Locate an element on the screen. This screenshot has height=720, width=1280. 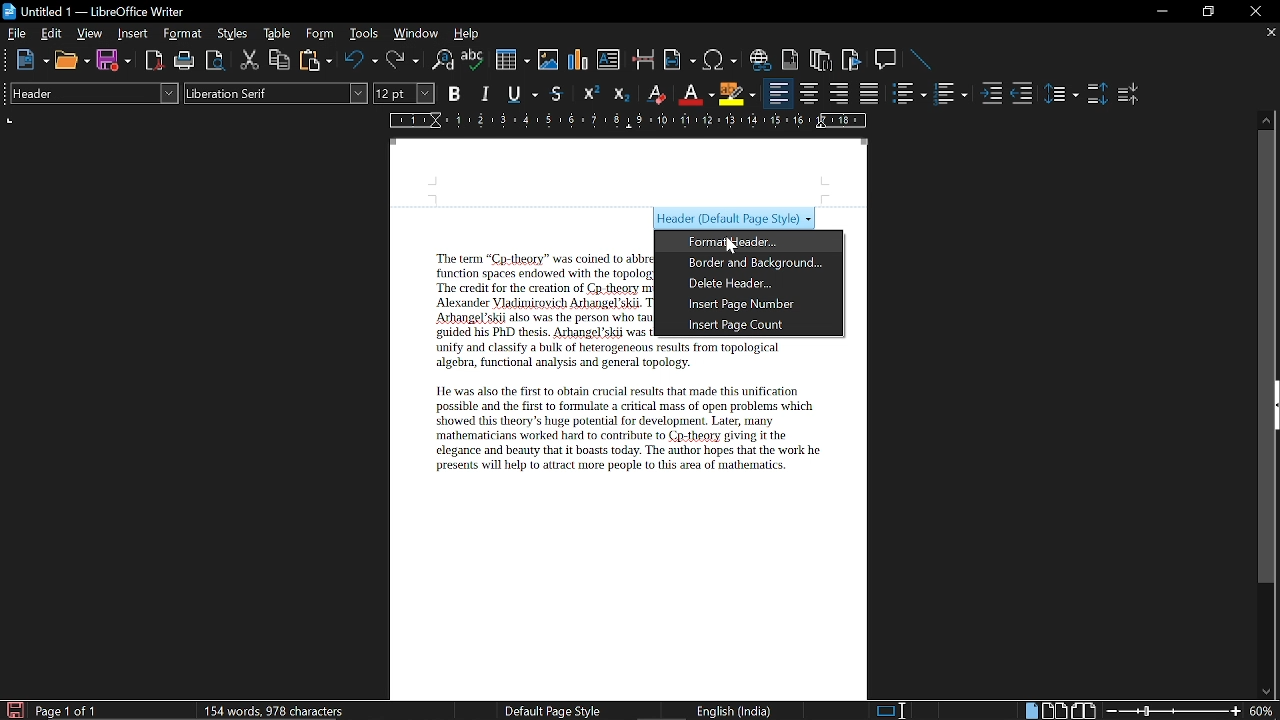
Close is located at coordinates (1254, 12).